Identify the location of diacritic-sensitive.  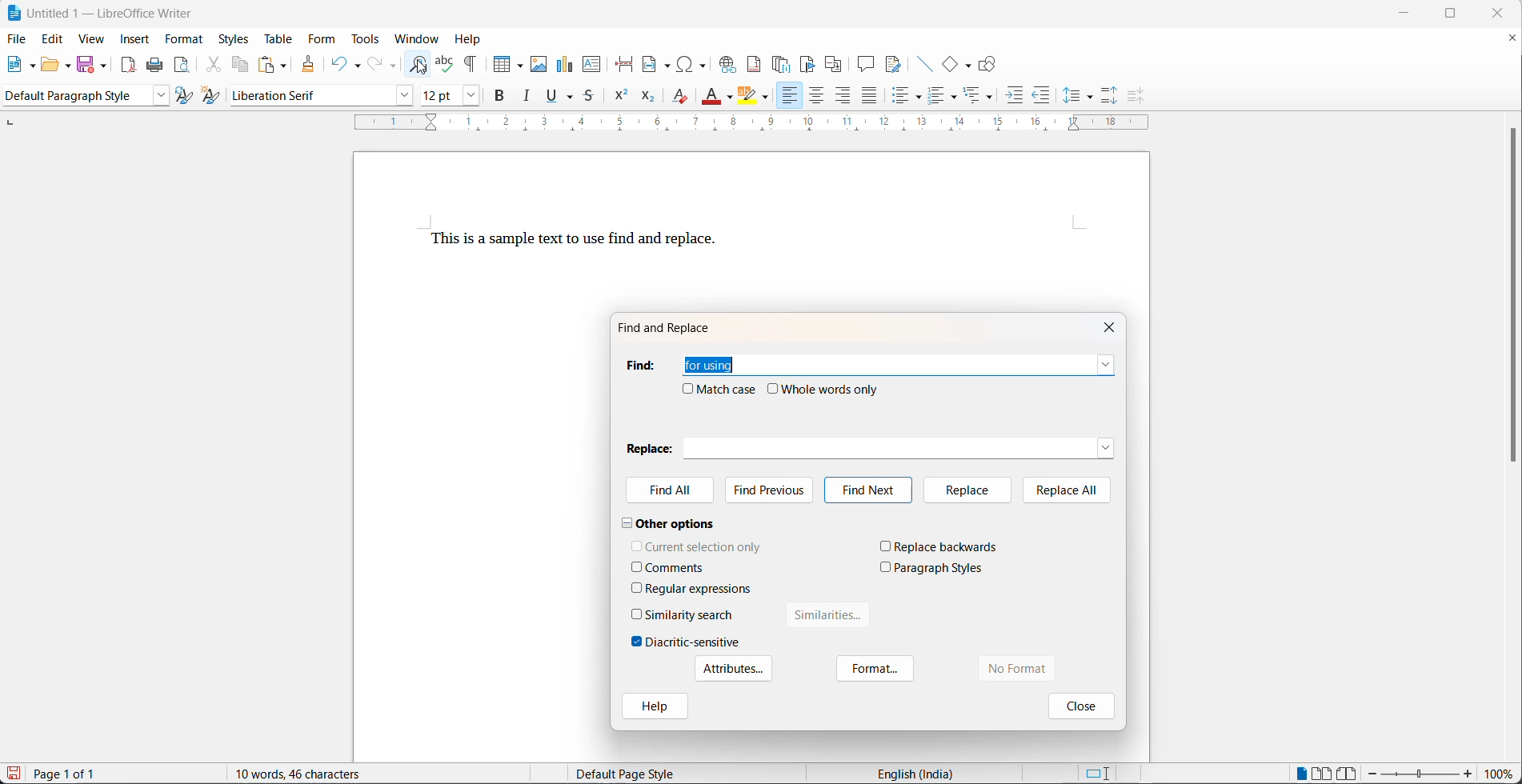
(693, 642).